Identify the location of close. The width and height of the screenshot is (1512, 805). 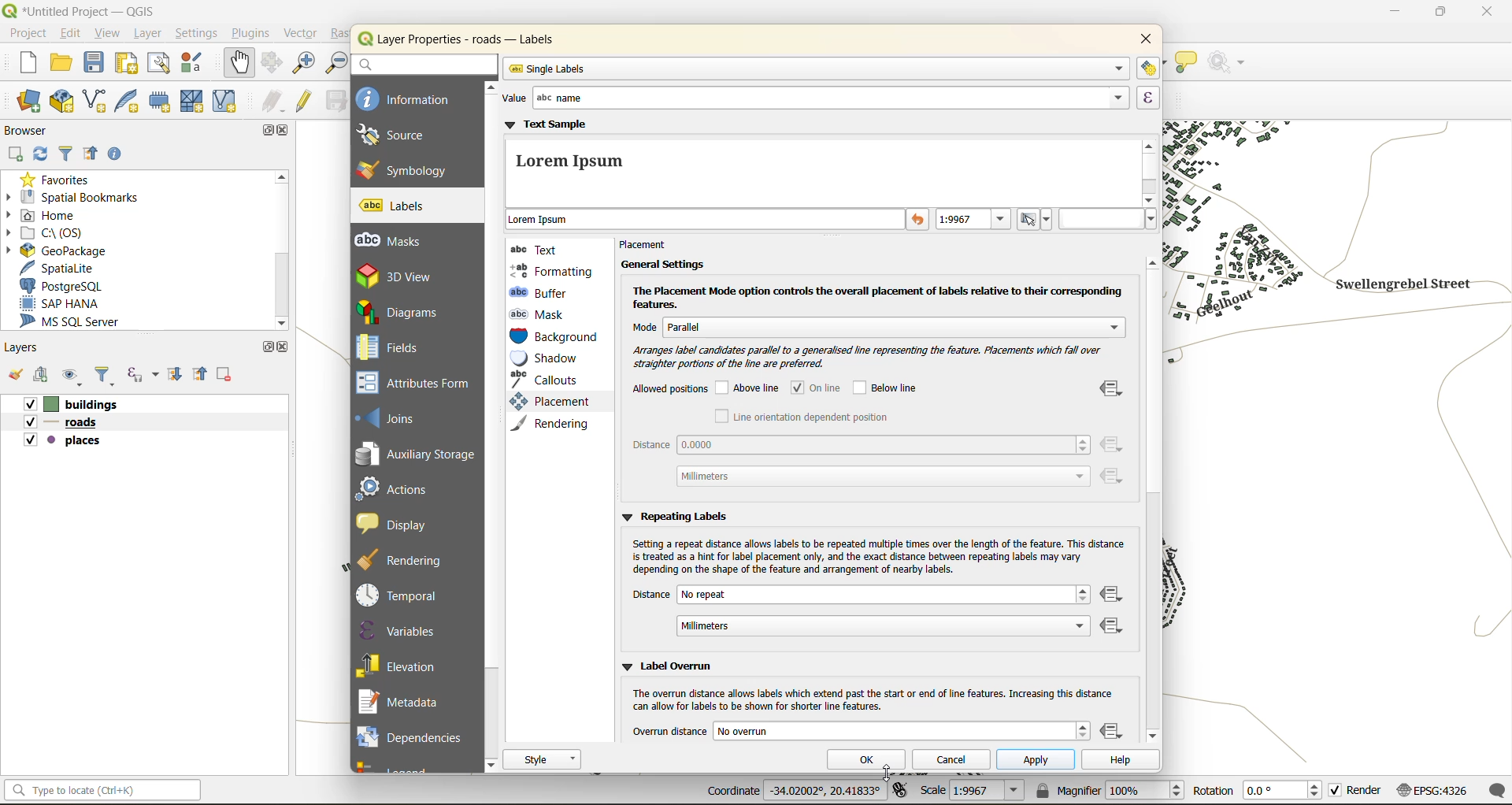
(1483, 13).